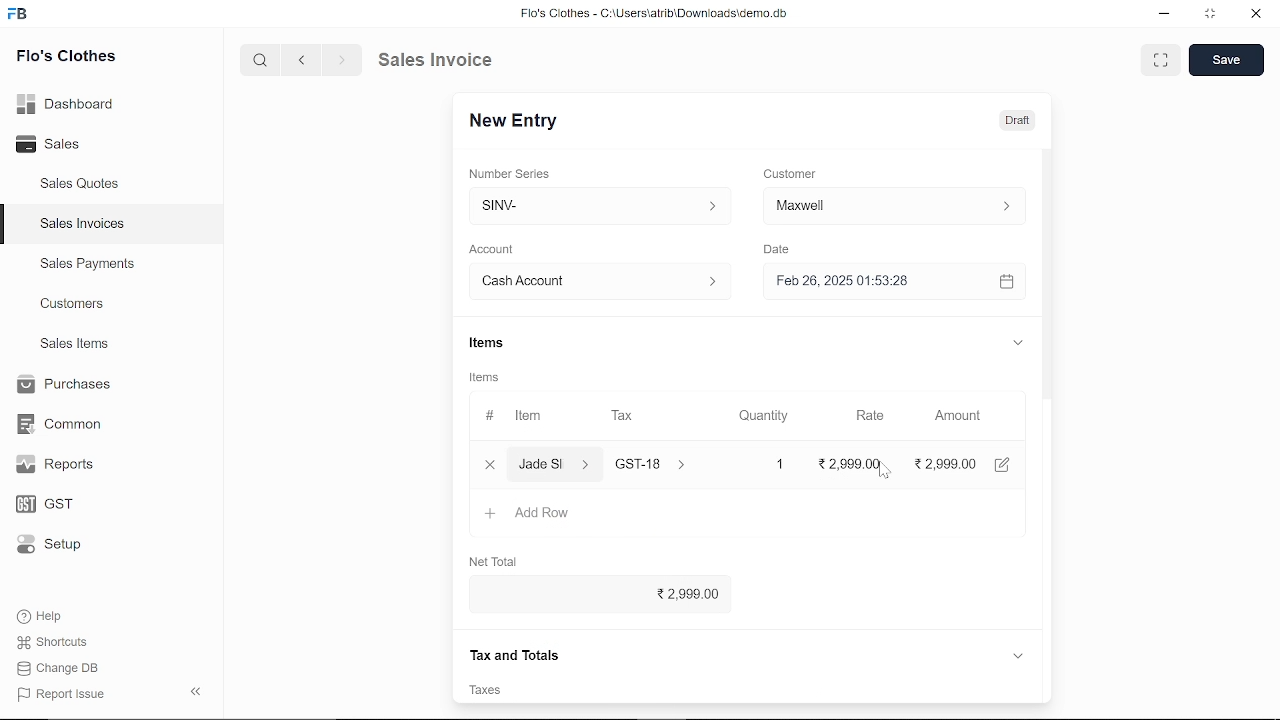 This screenshot has height=720, width=1280. Describe the element at coordinates (18, 16) in the screenshot. I see `frappe books` at that location.